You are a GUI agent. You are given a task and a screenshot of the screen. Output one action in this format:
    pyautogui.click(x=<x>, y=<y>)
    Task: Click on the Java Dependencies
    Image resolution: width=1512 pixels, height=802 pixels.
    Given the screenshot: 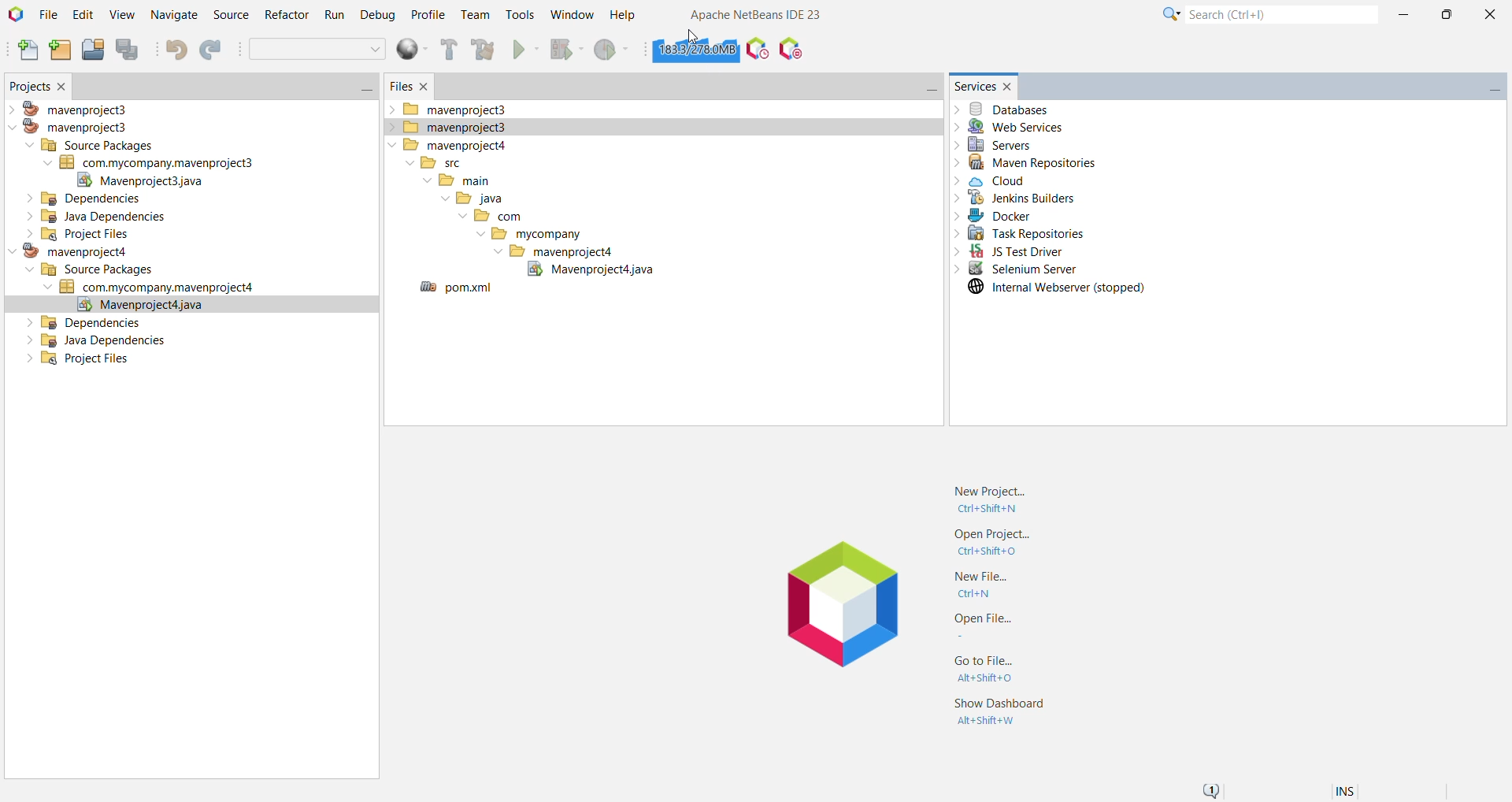 What is the action you would take?
    pyautogui.click(x=96, y=341)
    